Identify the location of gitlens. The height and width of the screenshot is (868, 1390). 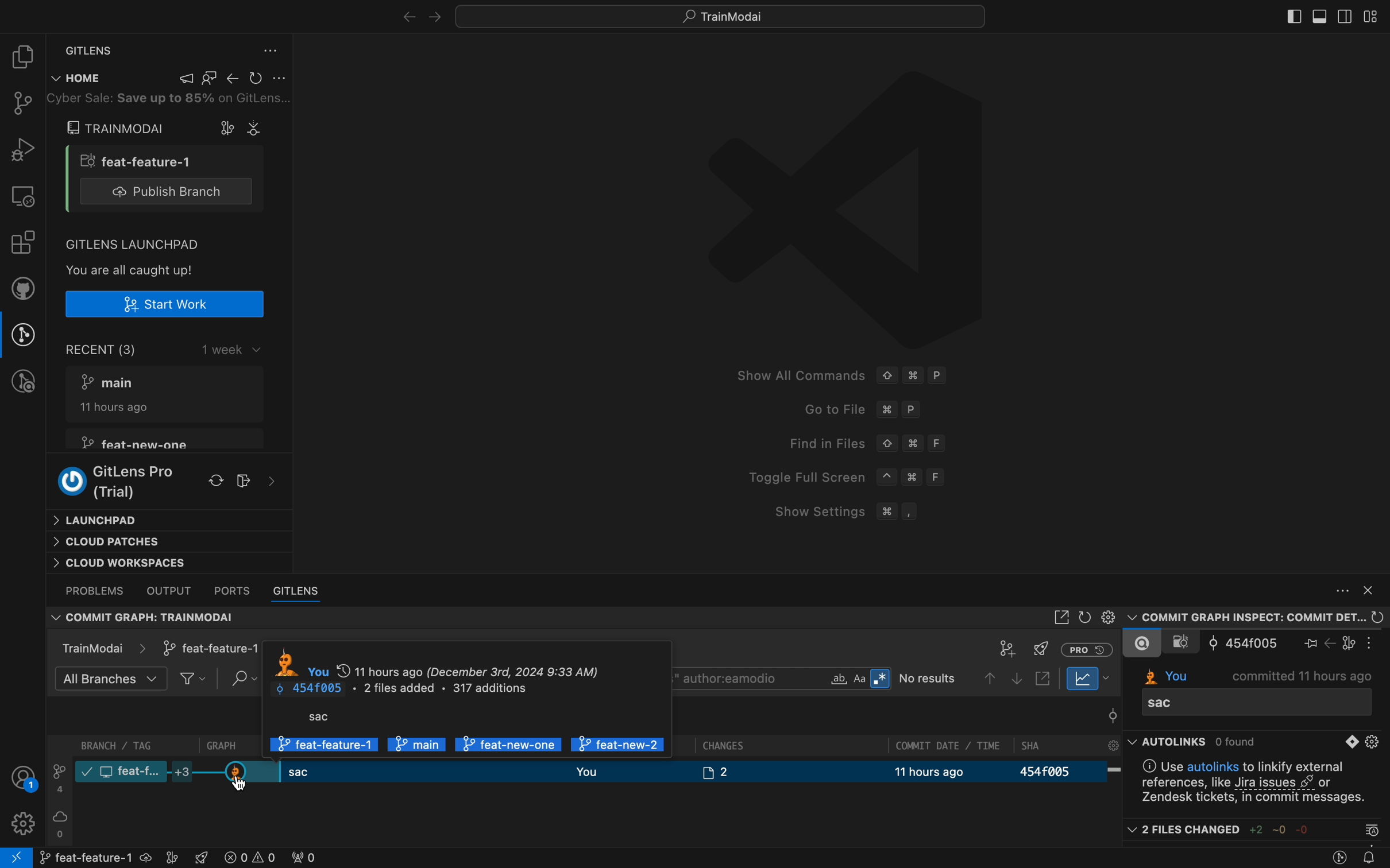
(26, 335).